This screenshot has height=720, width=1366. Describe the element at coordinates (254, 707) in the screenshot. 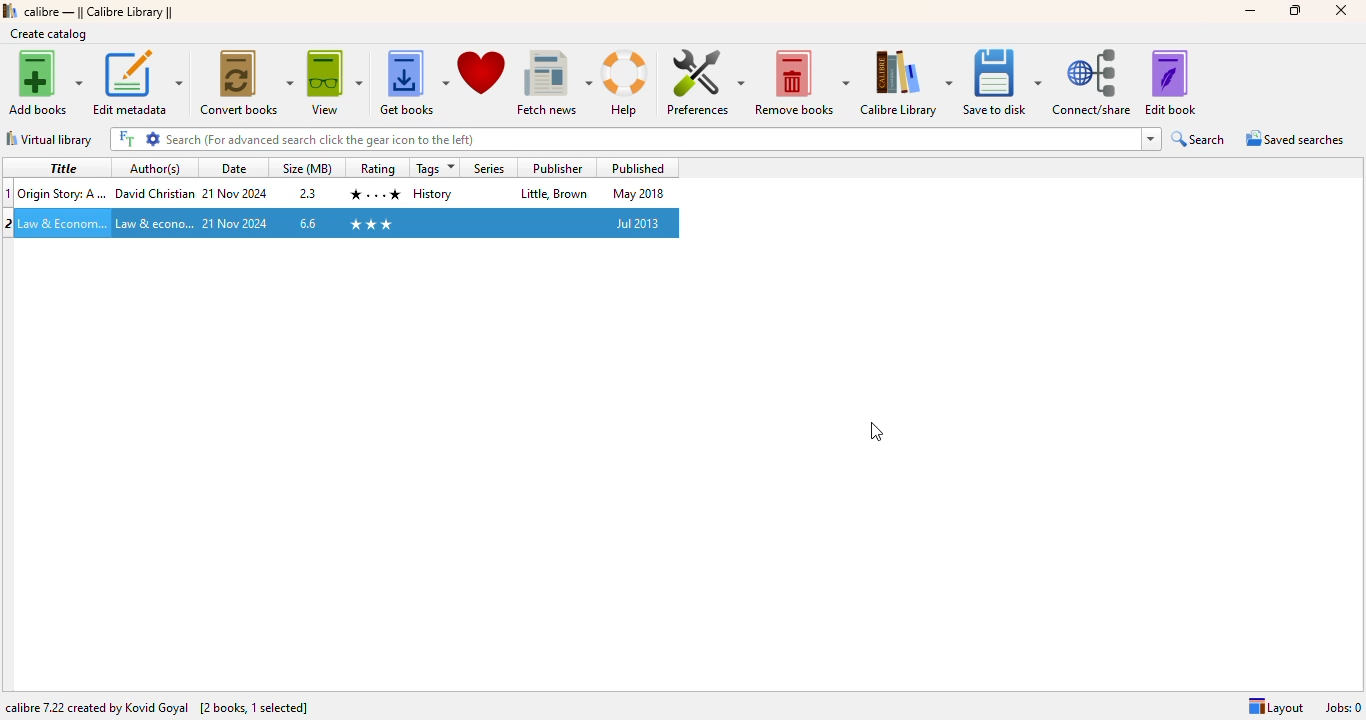

I see `[2 books, 1 selected]` at that location.